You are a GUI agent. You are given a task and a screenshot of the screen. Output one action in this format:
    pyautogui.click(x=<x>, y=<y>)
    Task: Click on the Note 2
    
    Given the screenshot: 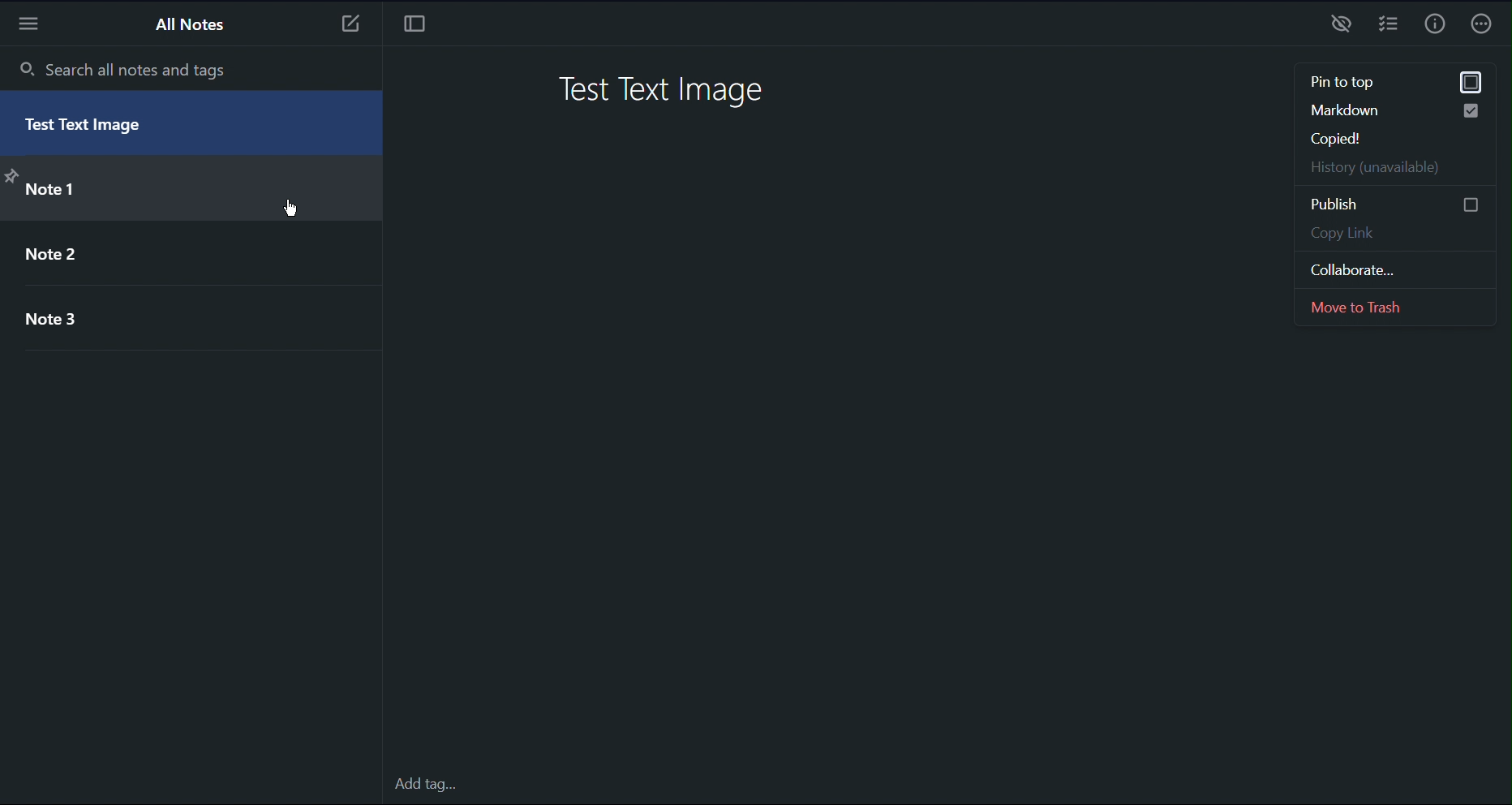 What is the action you would take?
    pyautogui.click(x=64, y=257)
    